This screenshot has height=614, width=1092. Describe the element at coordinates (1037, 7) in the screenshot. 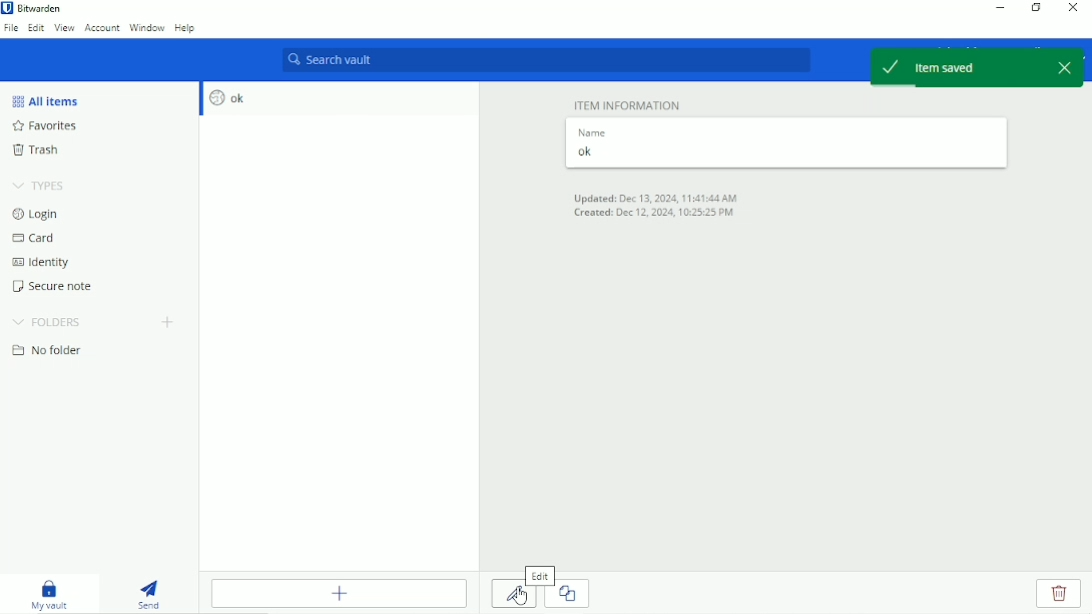

I see `Restore down` at that location.